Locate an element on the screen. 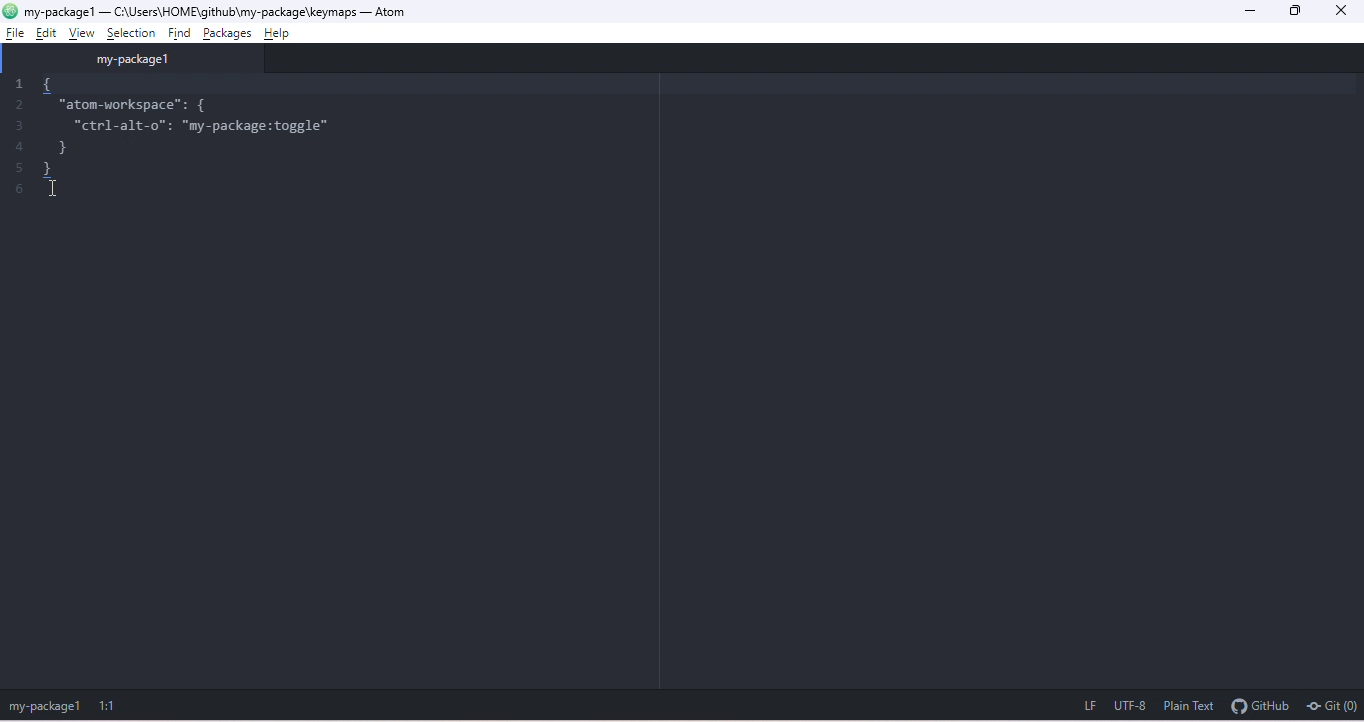 The height and width of the screenshot is (722, 1364). my package1 is located at coordinates (143, 59).